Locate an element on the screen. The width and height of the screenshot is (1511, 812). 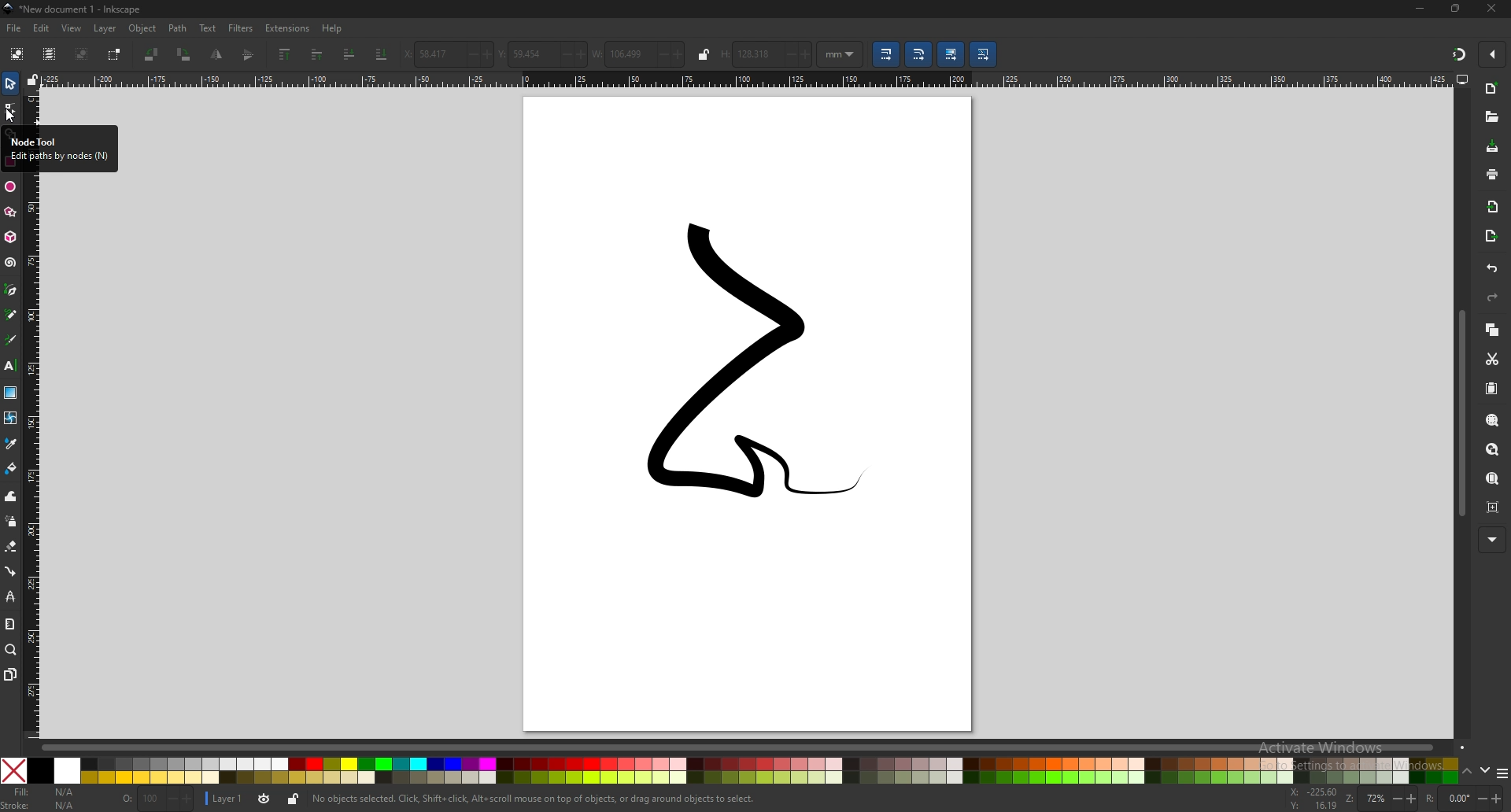
help is located at coordinates (335, 28).